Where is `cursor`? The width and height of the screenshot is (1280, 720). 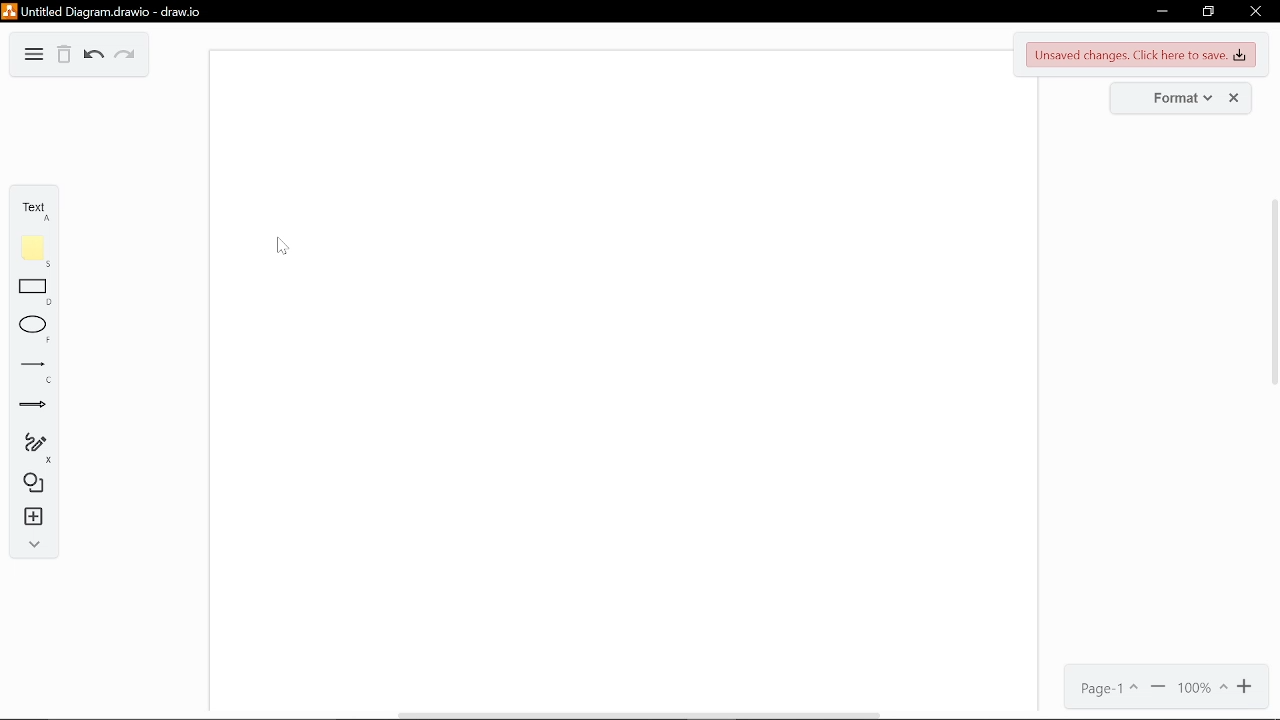
cursor is located at coordinates (283, 246).